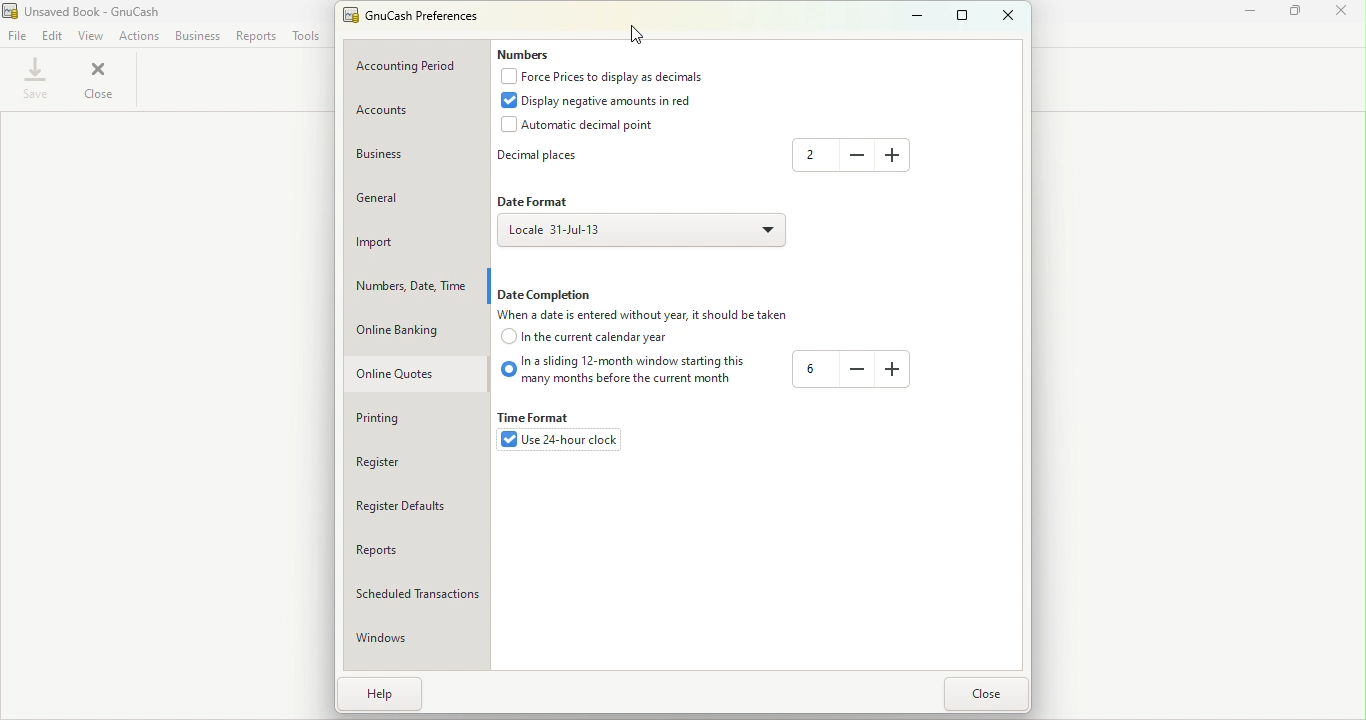  What do you see at coordinates (1241, 13) in the screenshot?
I see `Minimize` at bounding box center [1241, 13].